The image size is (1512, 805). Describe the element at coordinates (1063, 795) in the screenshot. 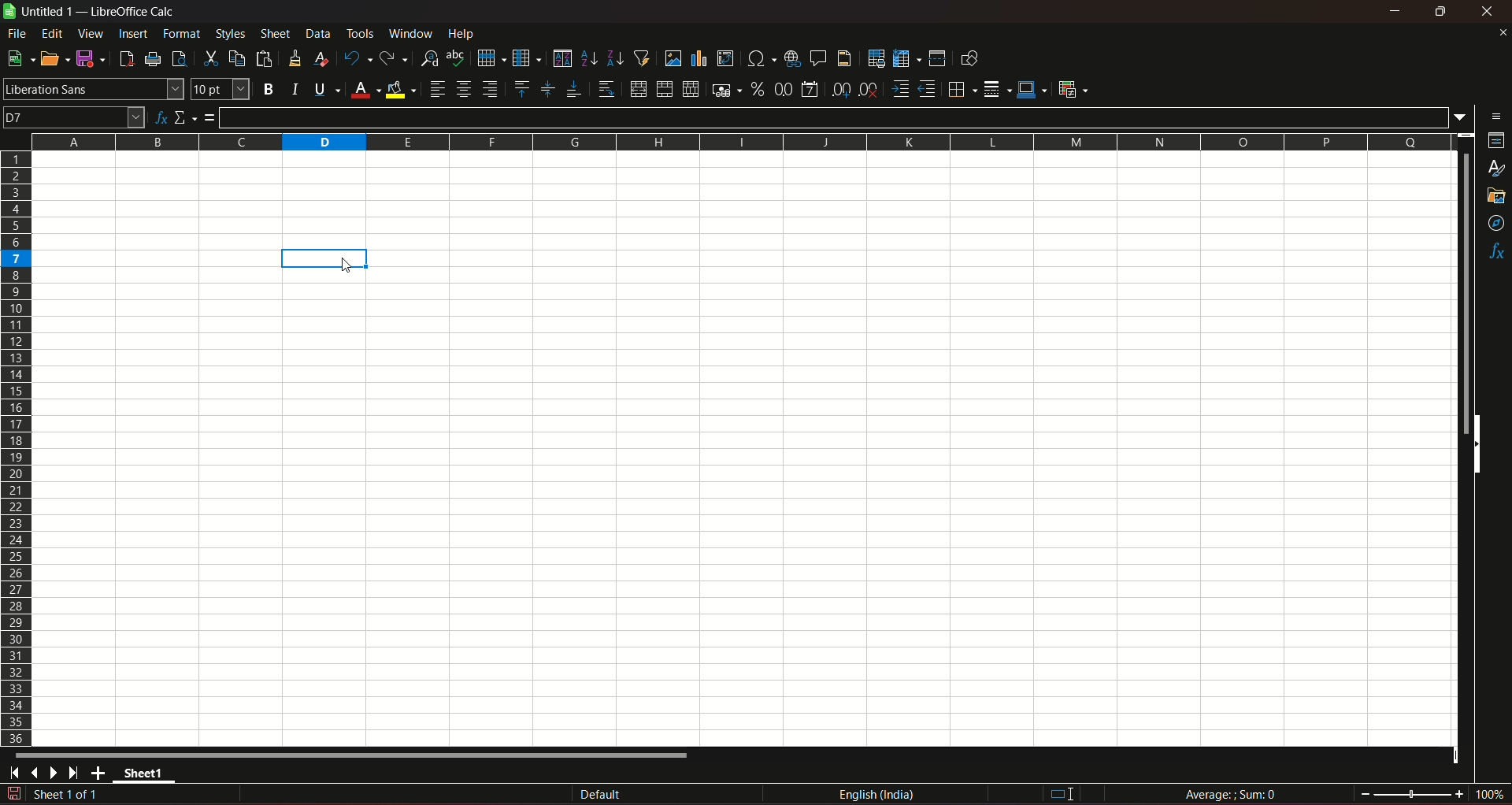

I see `I beam cursor` at that location.